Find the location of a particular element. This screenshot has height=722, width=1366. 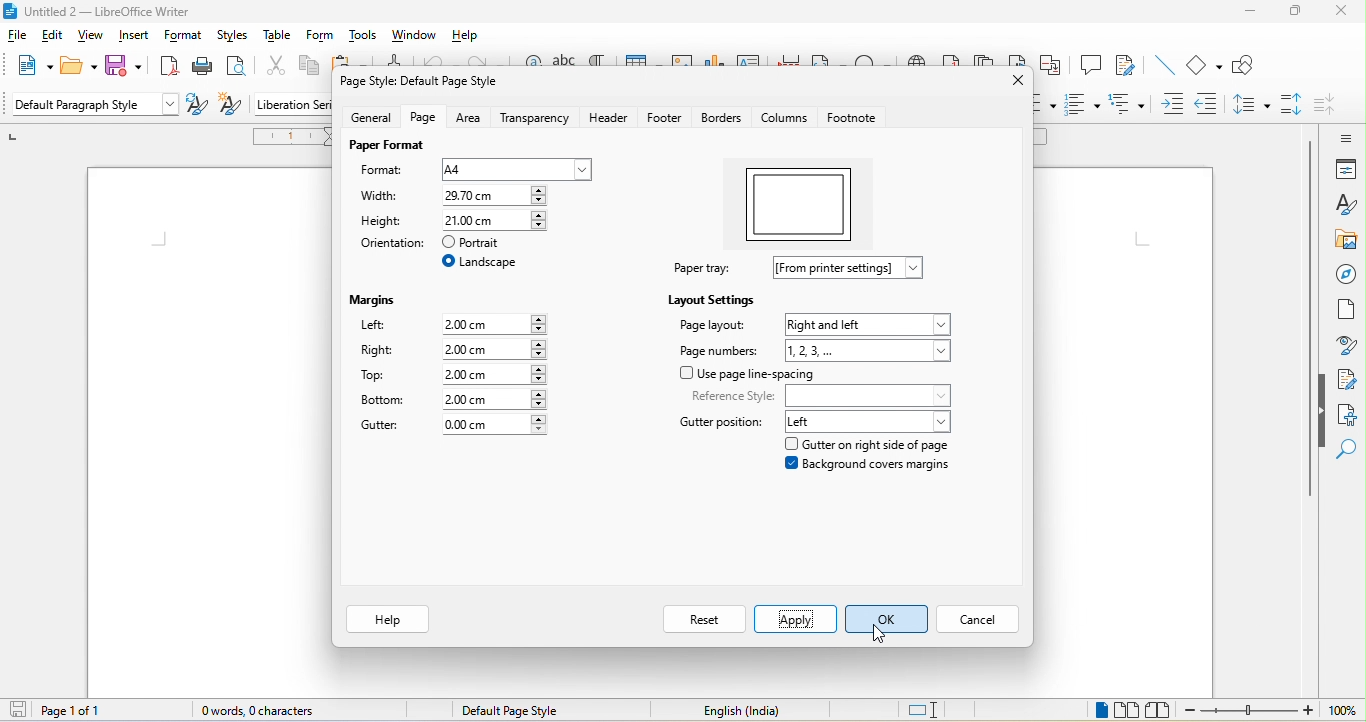

accessibility check  is located at coordinates (1349, 416).